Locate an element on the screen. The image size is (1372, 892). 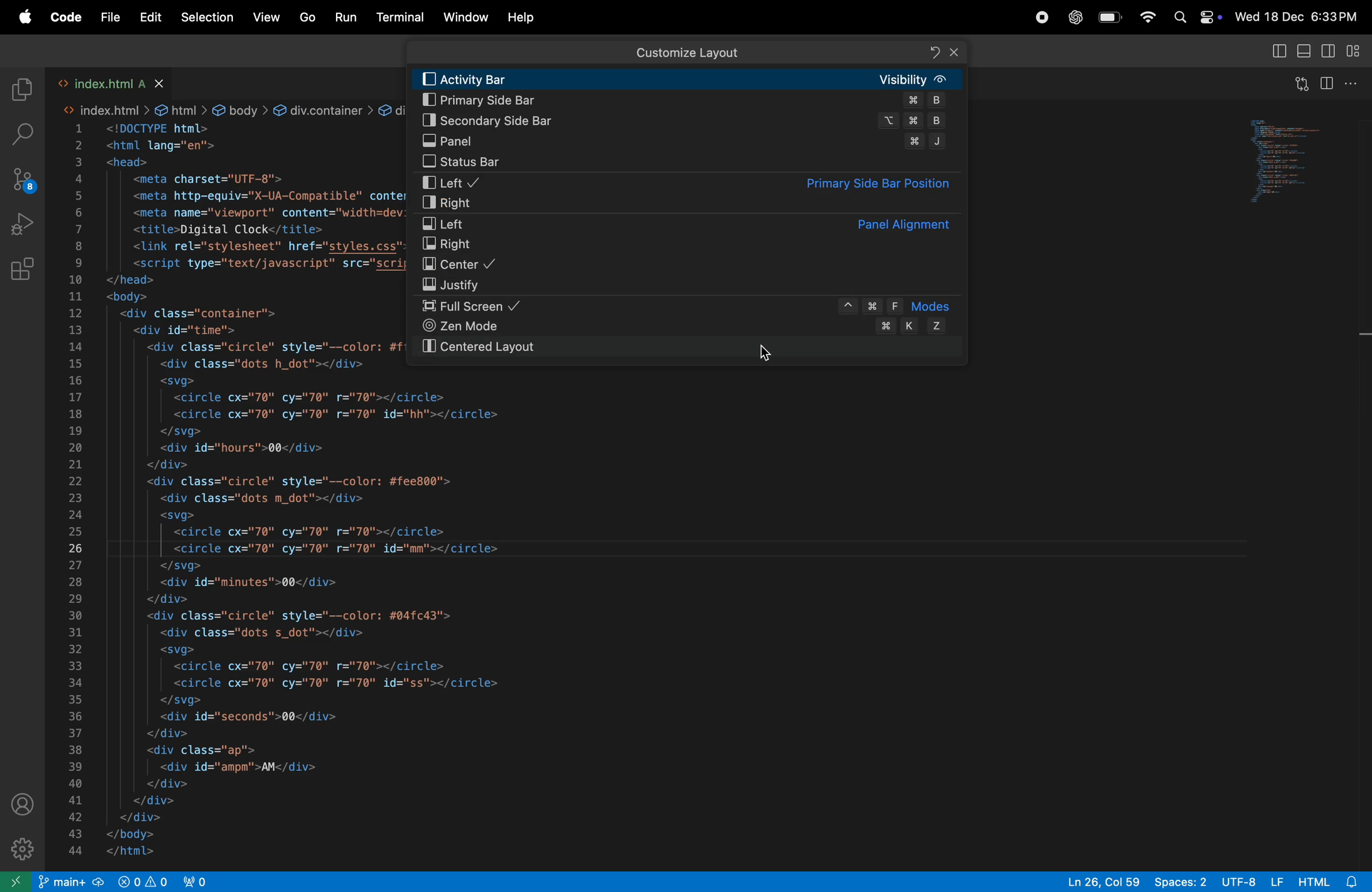
Close is located at coordinates (956, 52).